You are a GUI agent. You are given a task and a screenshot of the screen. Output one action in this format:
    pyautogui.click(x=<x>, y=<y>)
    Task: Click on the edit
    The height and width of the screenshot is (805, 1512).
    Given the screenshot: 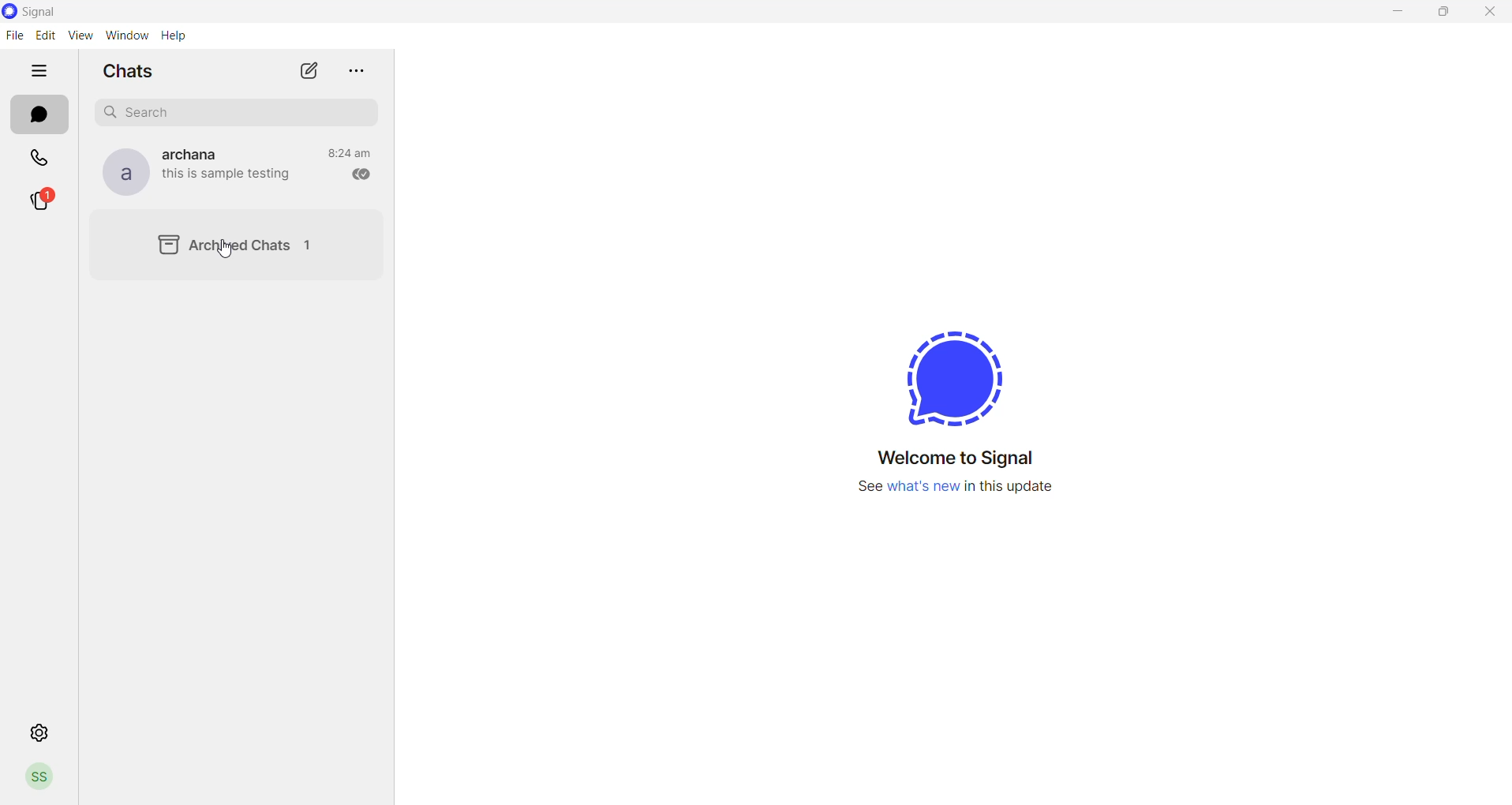 What is the action you would take?
    pyautogui.click(x=43, y=35)
    